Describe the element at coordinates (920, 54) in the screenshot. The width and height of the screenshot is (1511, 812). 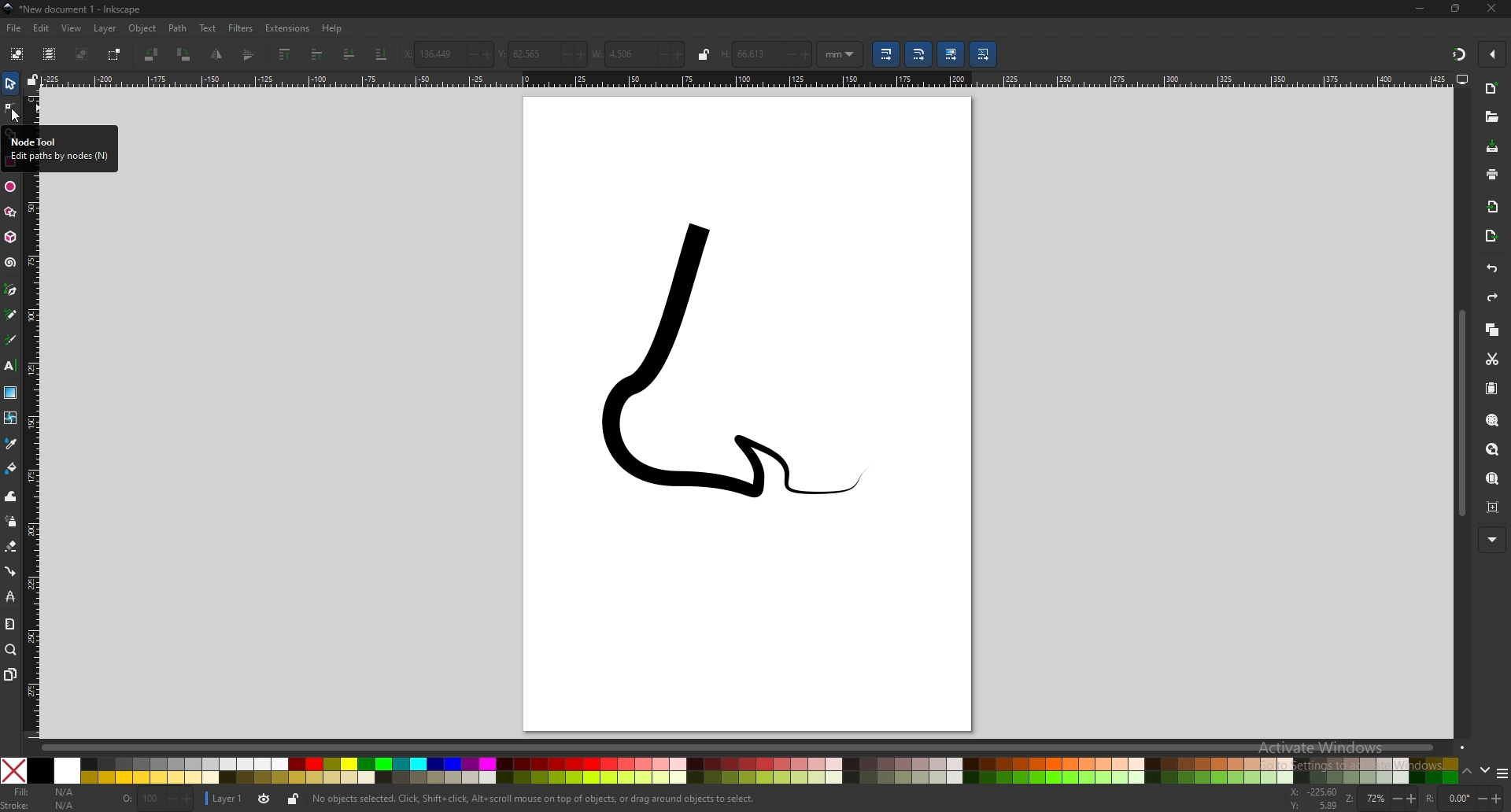
I see `scale radii` at that location.